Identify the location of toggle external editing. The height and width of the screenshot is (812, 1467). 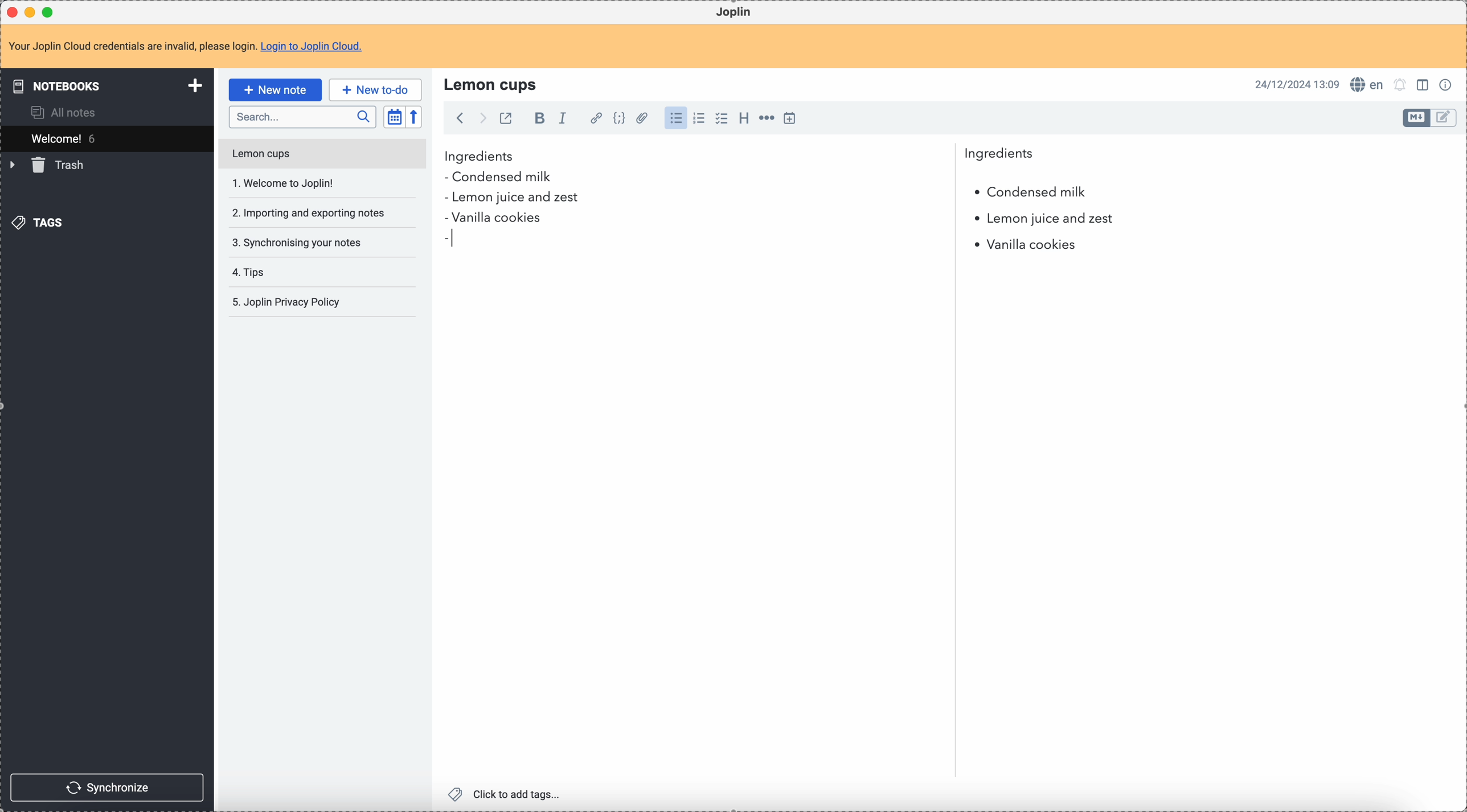
(505, 120).